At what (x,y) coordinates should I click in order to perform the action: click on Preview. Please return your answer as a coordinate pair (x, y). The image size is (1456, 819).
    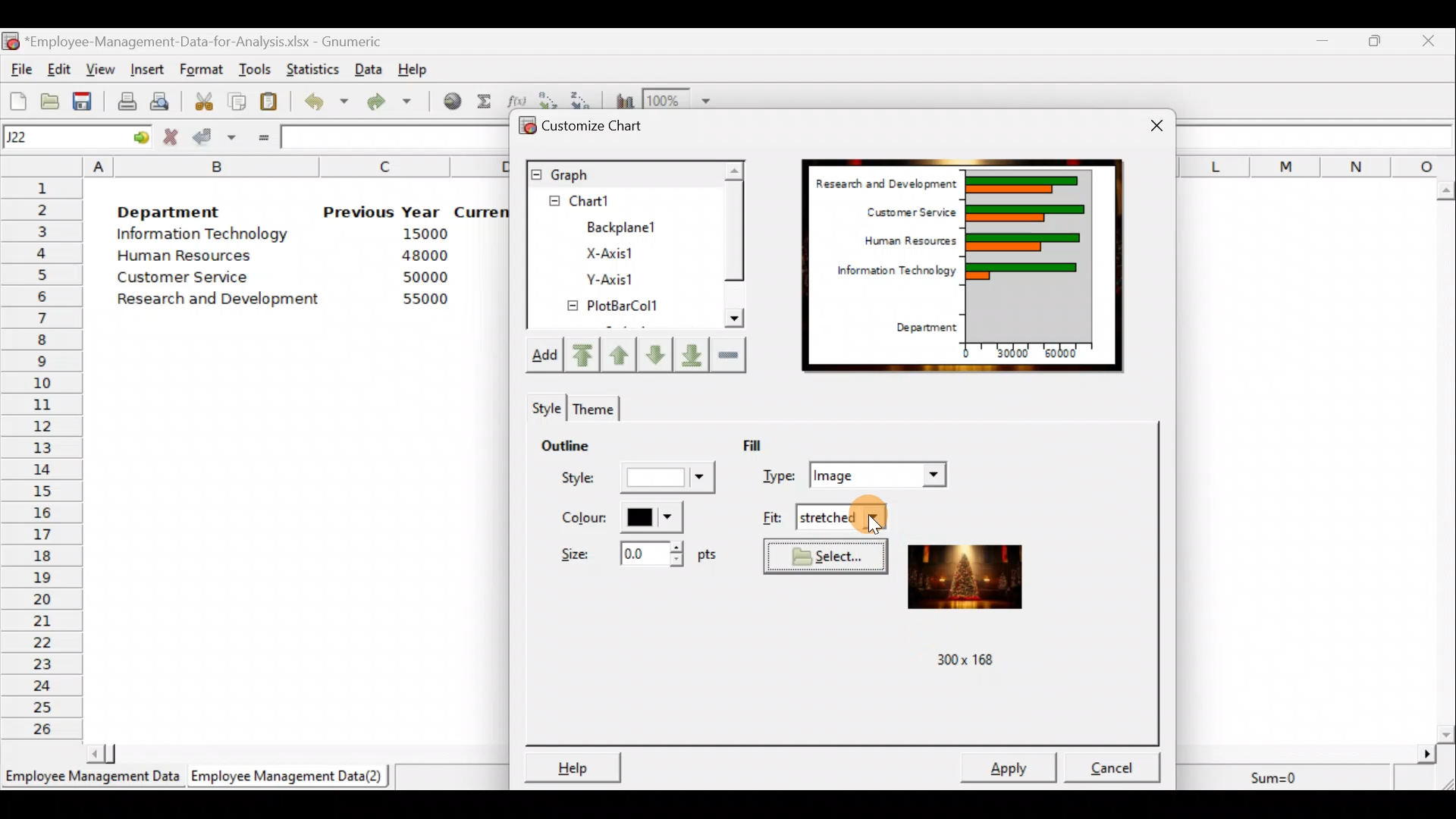
    Looking at the image, I should click on (964, 570).